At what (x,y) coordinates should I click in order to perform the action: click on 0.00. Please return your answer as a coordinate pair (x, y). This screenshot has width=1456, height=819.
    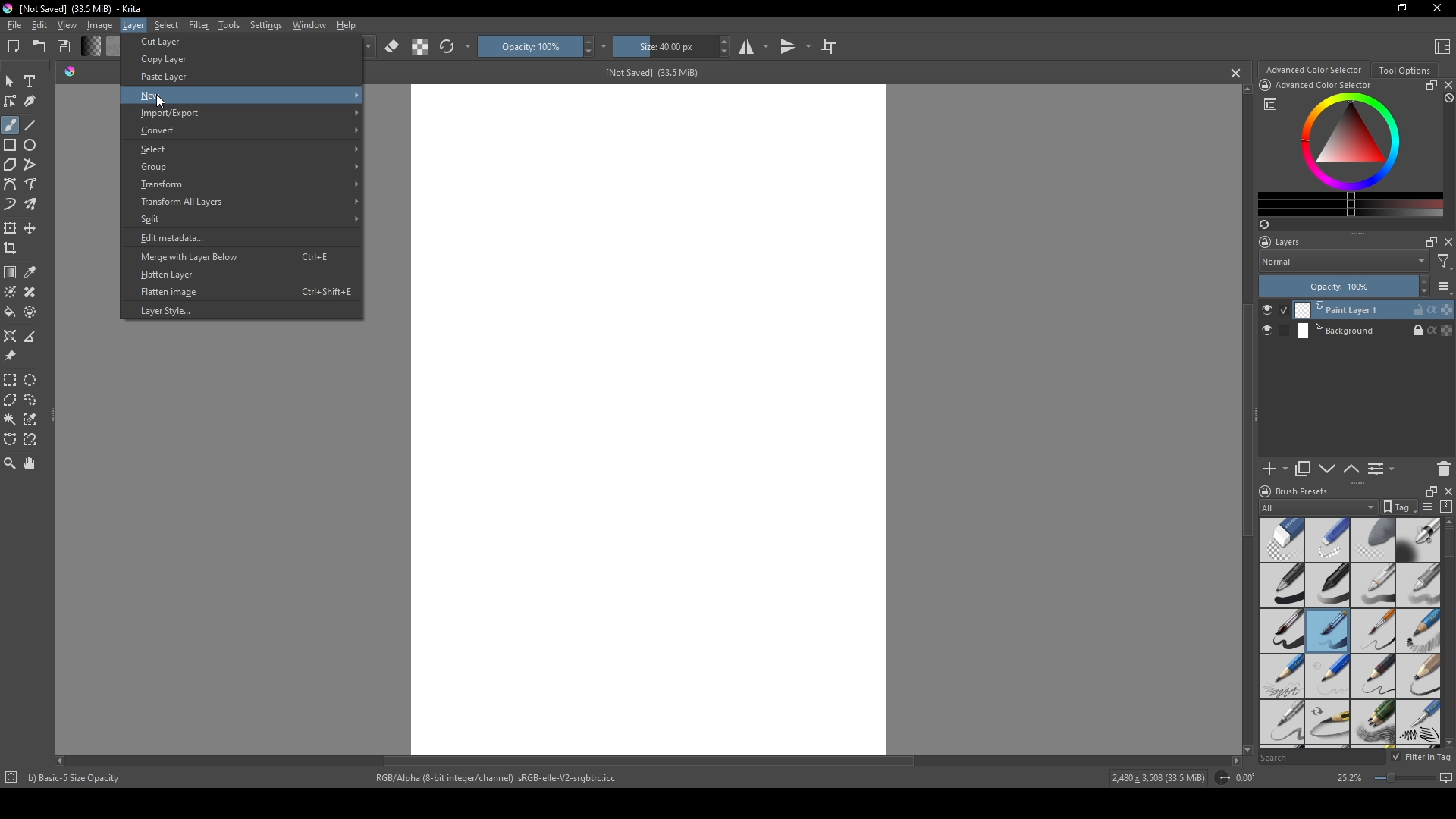
    Looking at the image, I should click on (1250, 778).